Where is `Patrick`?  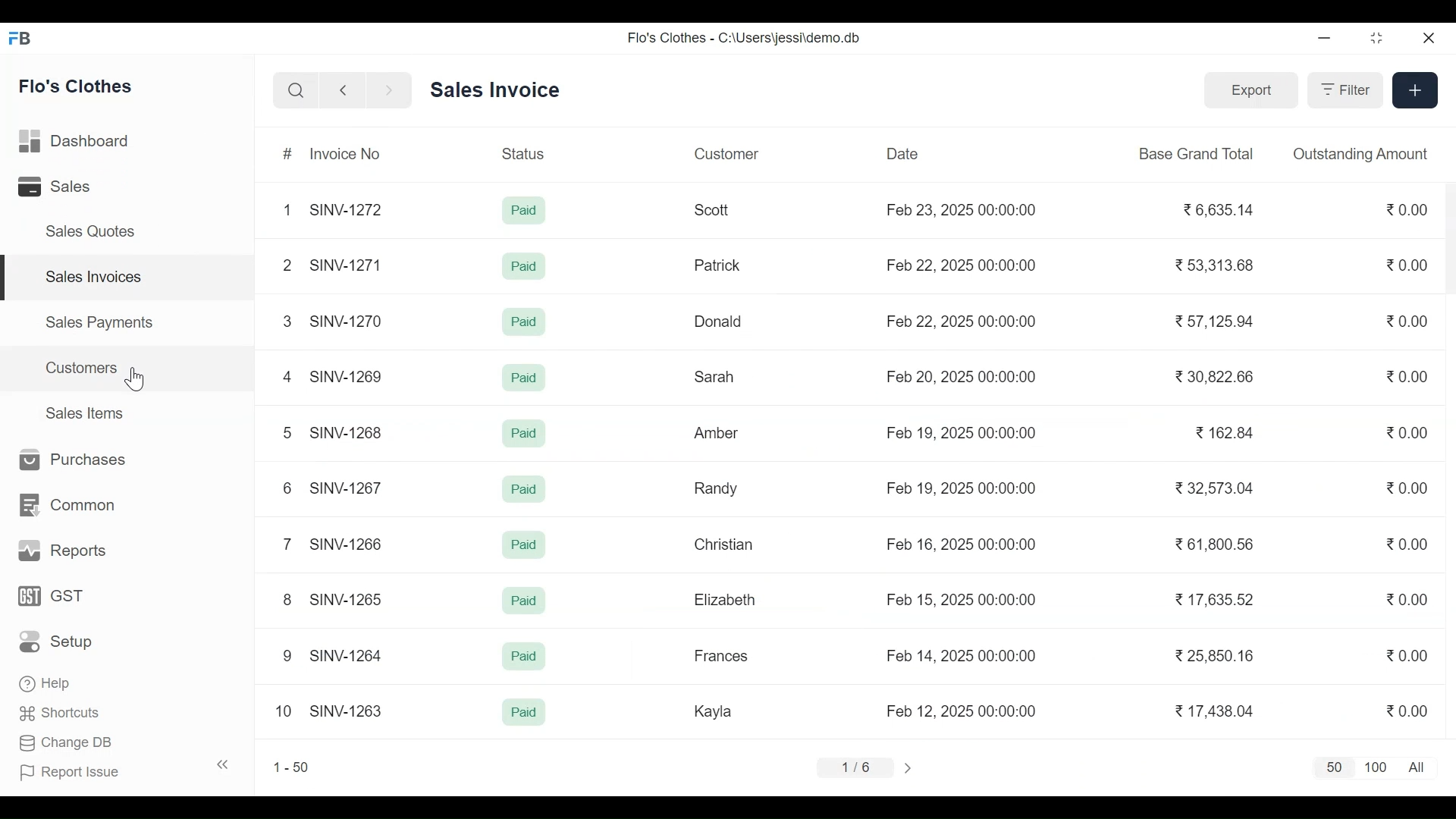 Patrick is located at coordinates (716, 265).